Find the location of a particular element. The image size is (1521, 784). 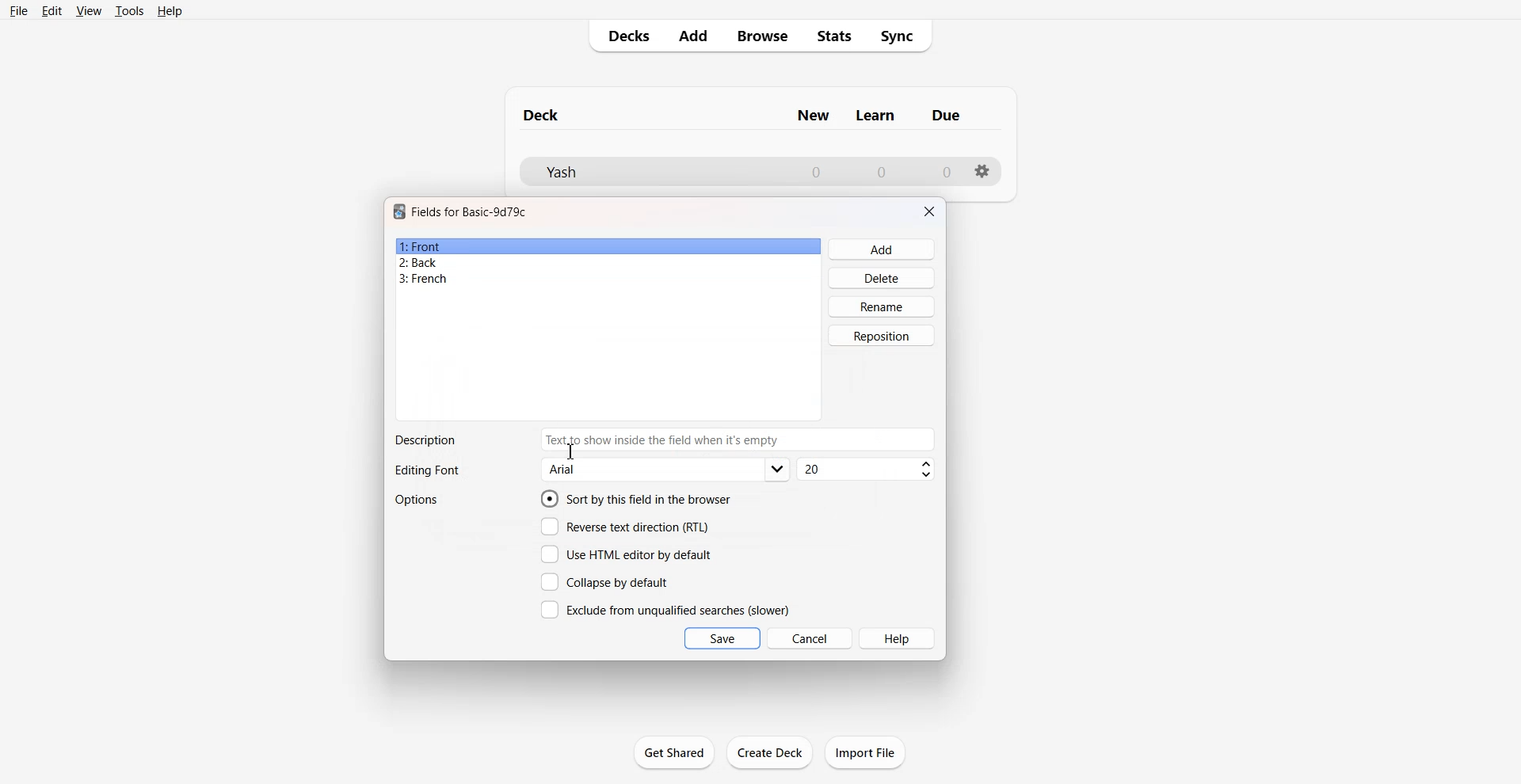

Column name is located at coordinates (875, 116).